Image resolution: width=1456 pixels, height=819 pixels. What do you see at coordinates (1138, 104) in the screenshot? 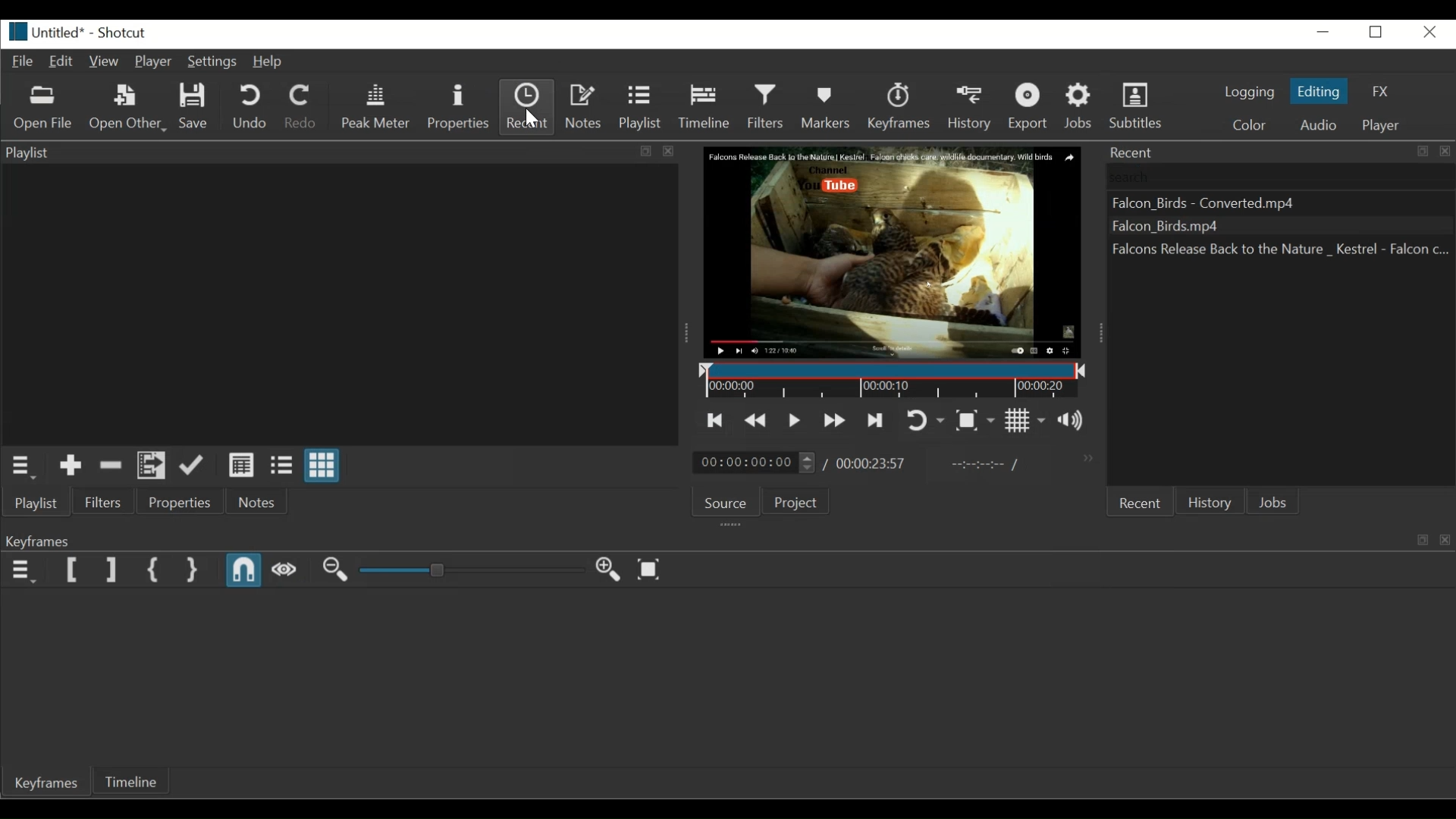
I see `Subtitles` at bounding box center [1138, 104].